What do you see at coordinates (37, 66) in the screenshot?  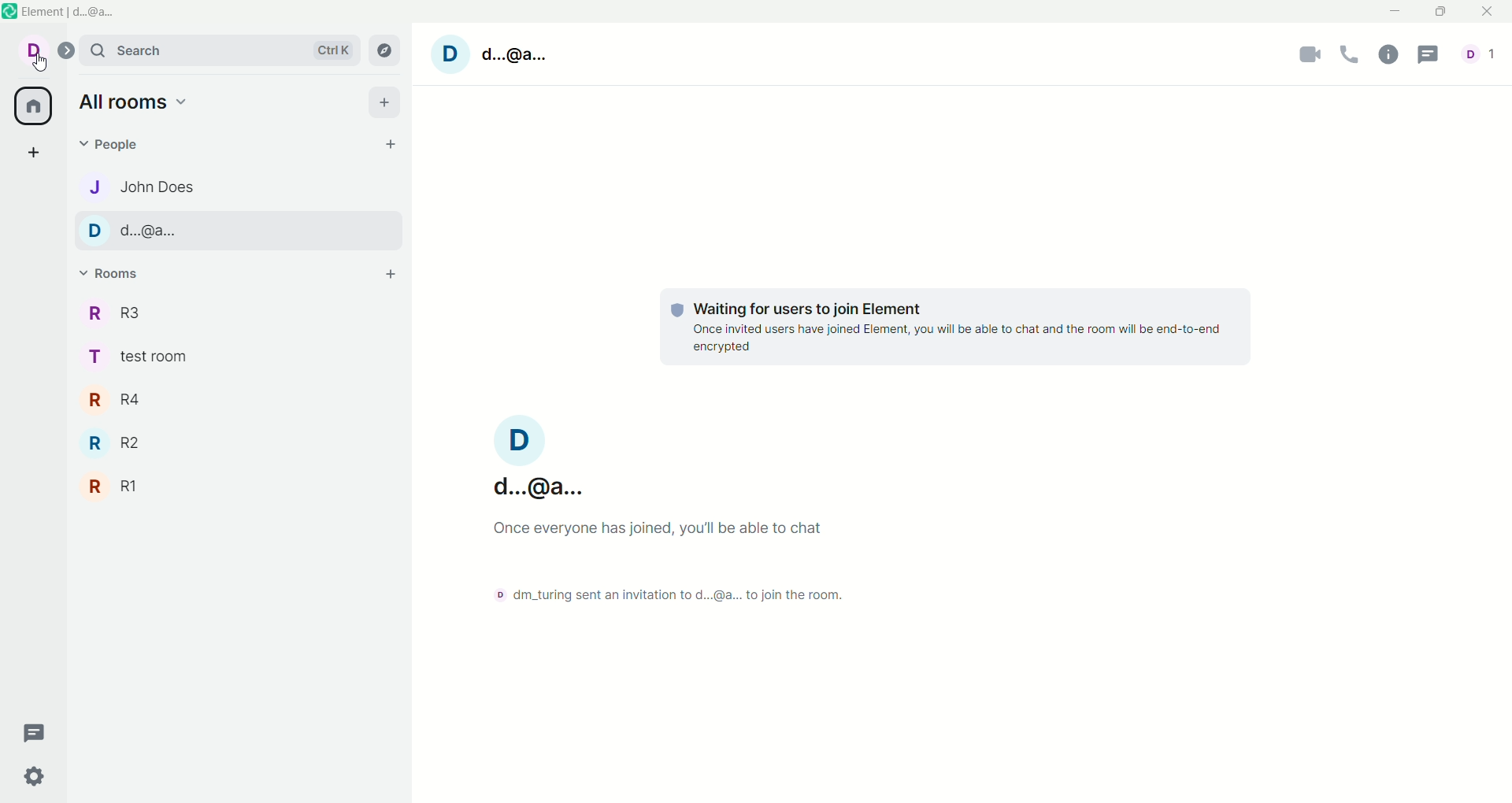 I see `cursor` at bounding box center [37, 66].